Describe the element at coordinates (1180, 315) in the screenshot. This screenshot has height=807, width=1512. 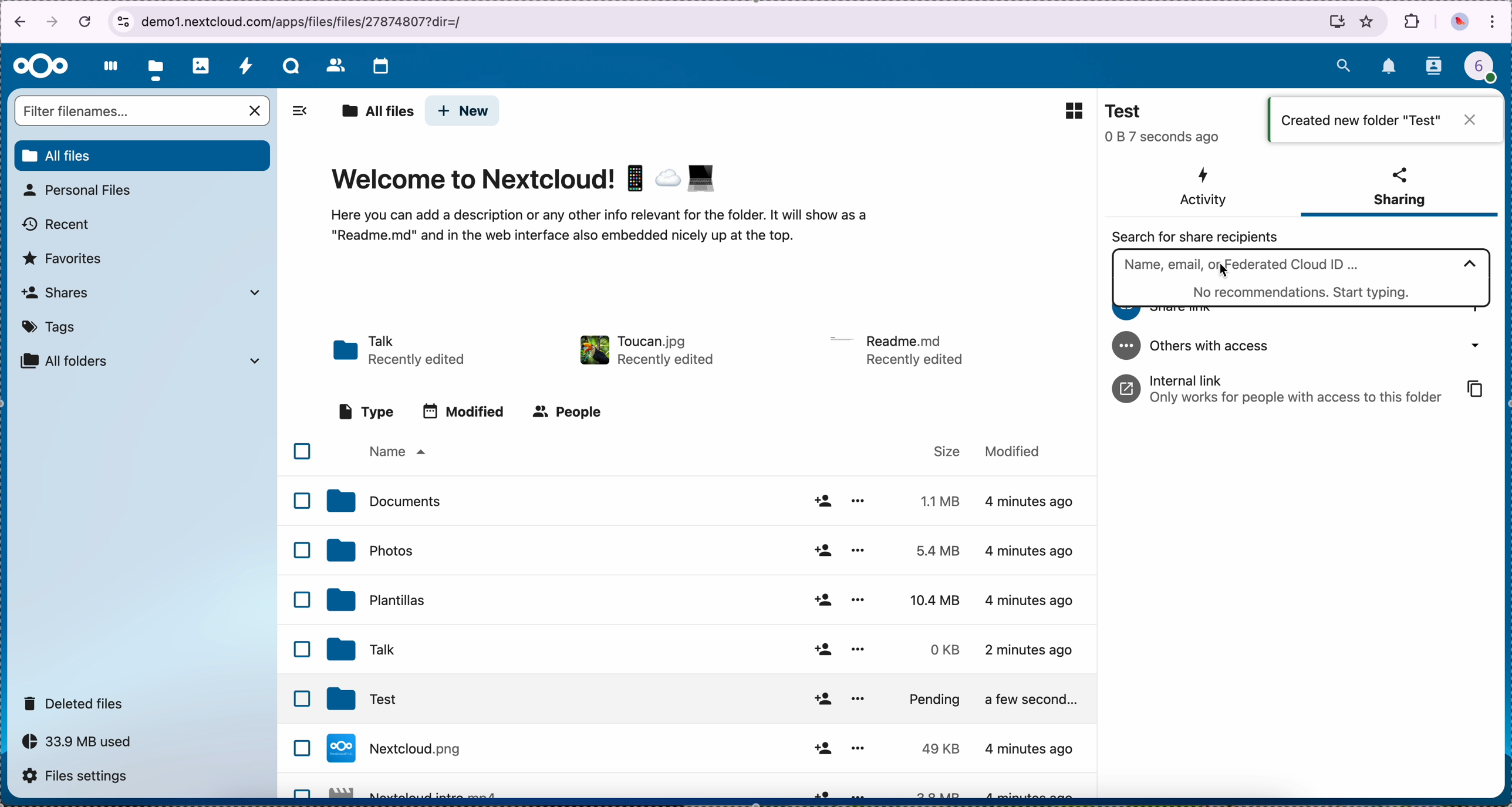
I see `share link` at that location.